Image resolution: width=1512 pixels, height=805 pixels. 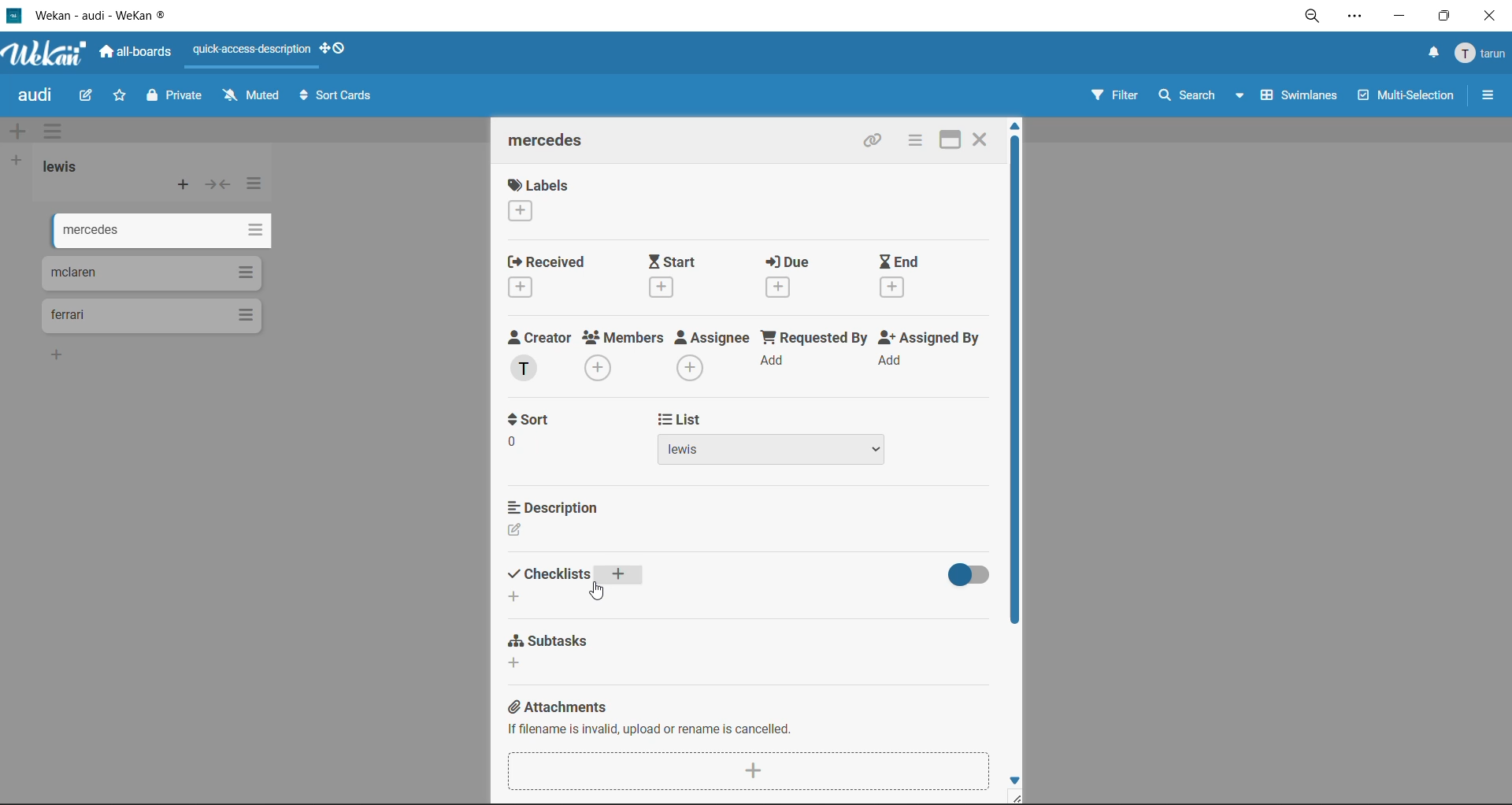 What do you see at coordinates (124, 18) in the screenshot?
I see `app titlew` at bounding box center [124, 18].